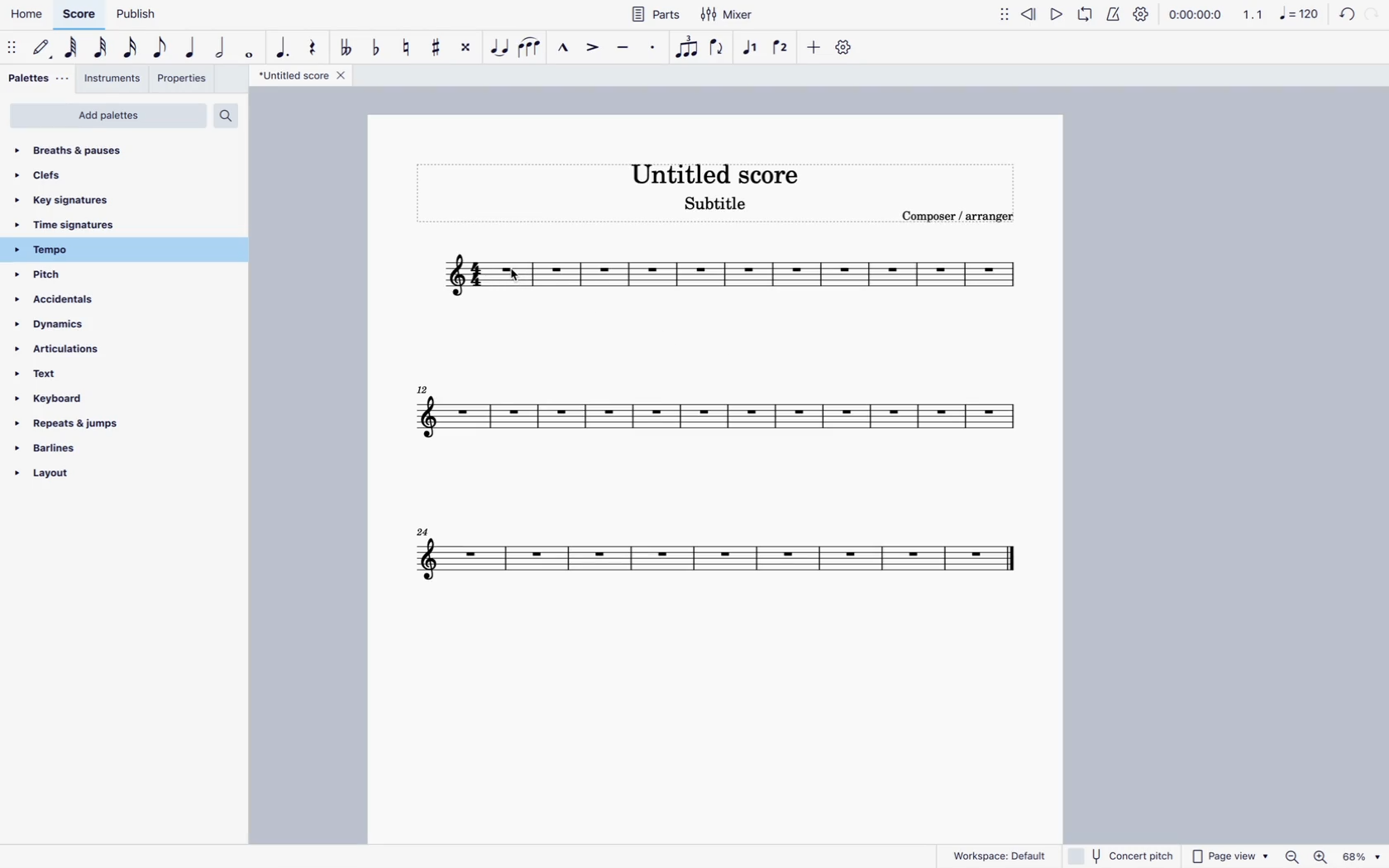  I want to click on parts, so click(648, 17).